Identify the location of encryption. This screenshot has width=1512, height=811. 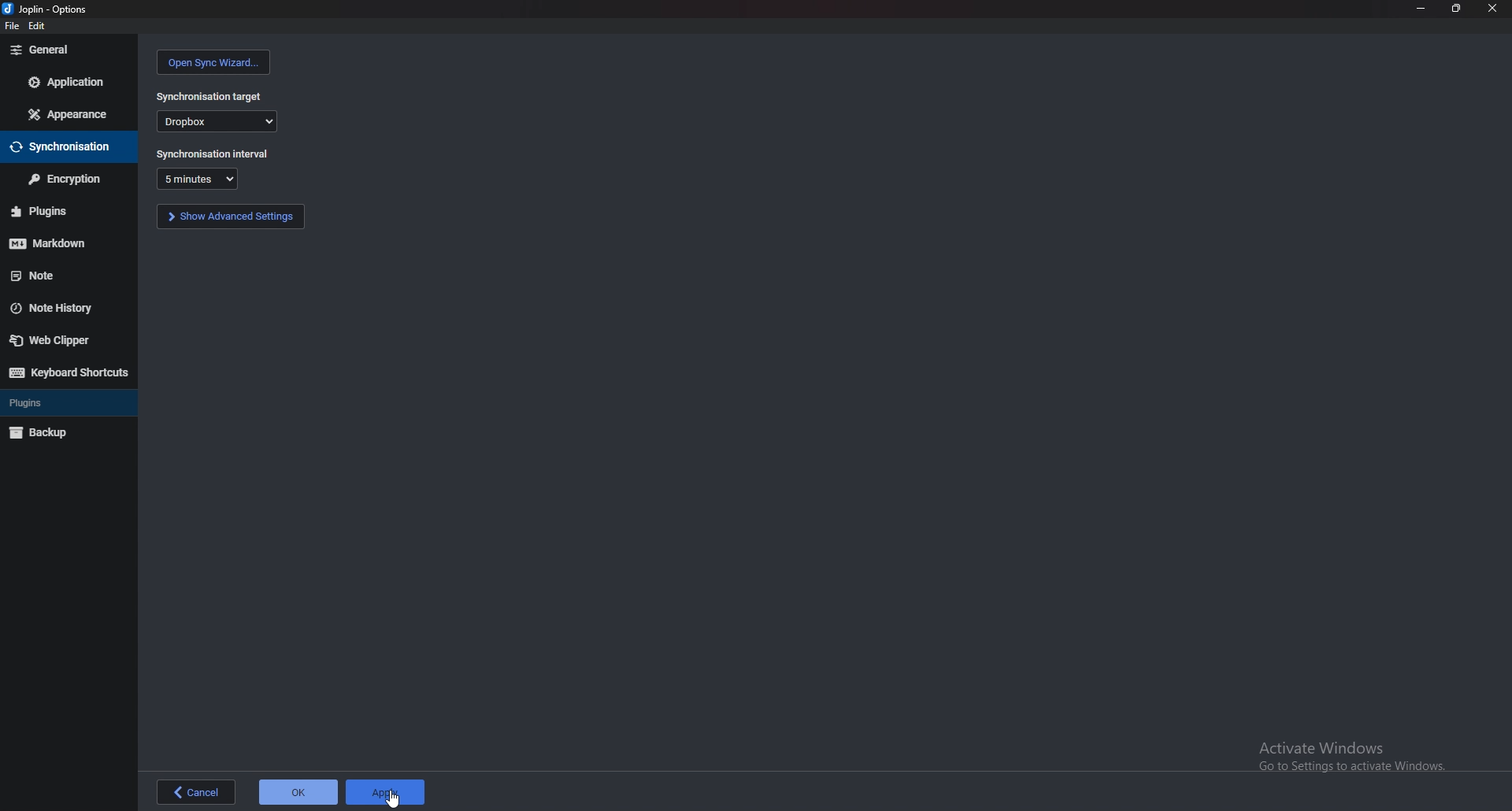
(69, 179).